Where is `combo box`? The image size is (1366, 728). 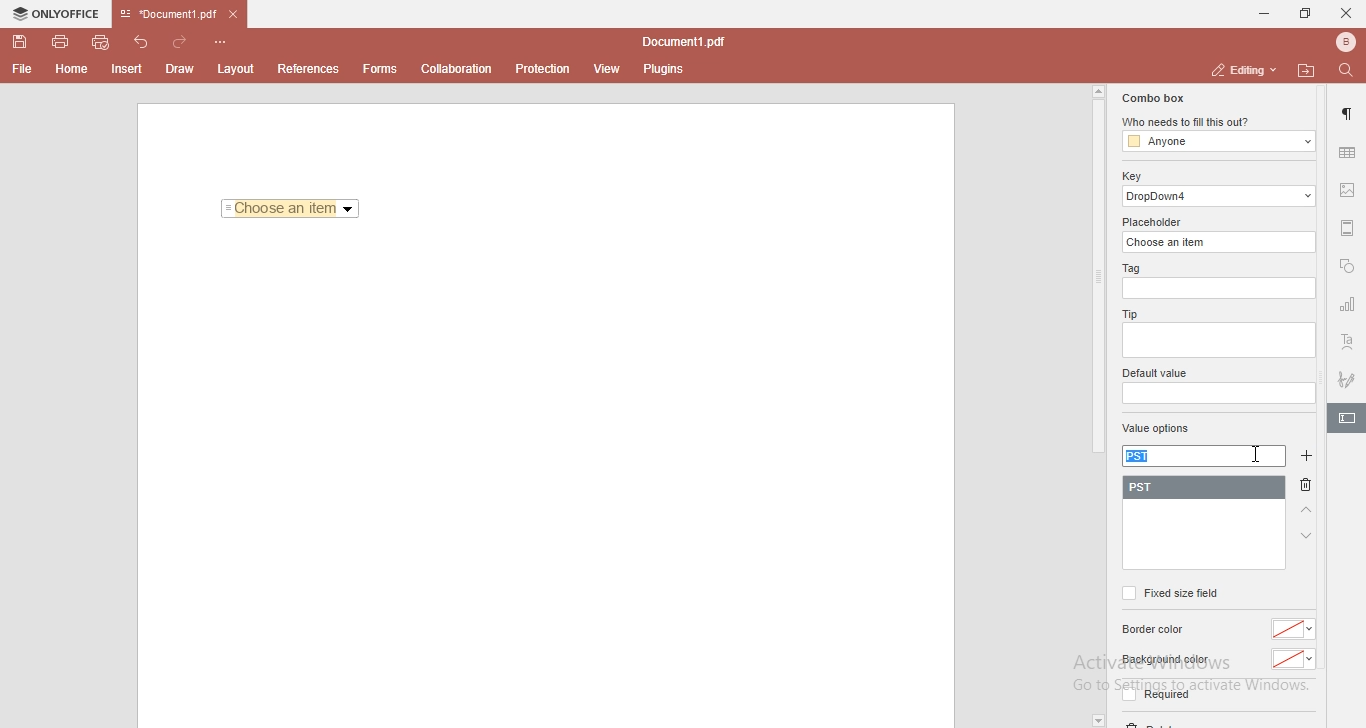 combo box is located at coordinates (1151, 98).